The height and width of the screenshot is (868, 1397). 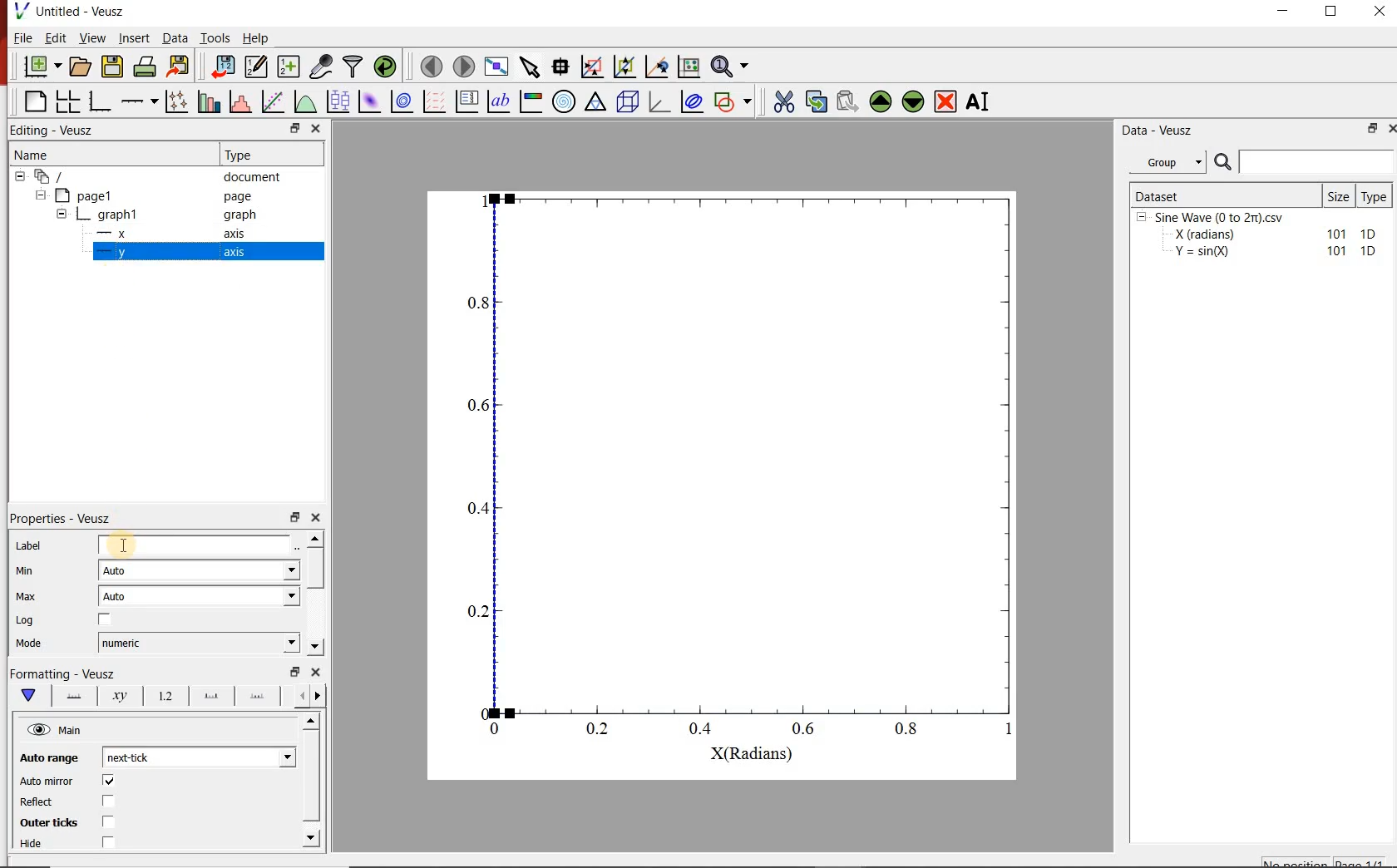 What do you see at coordinates (914, 103) in the screenshot?
I see `move down` at bounding box center [914, 103].